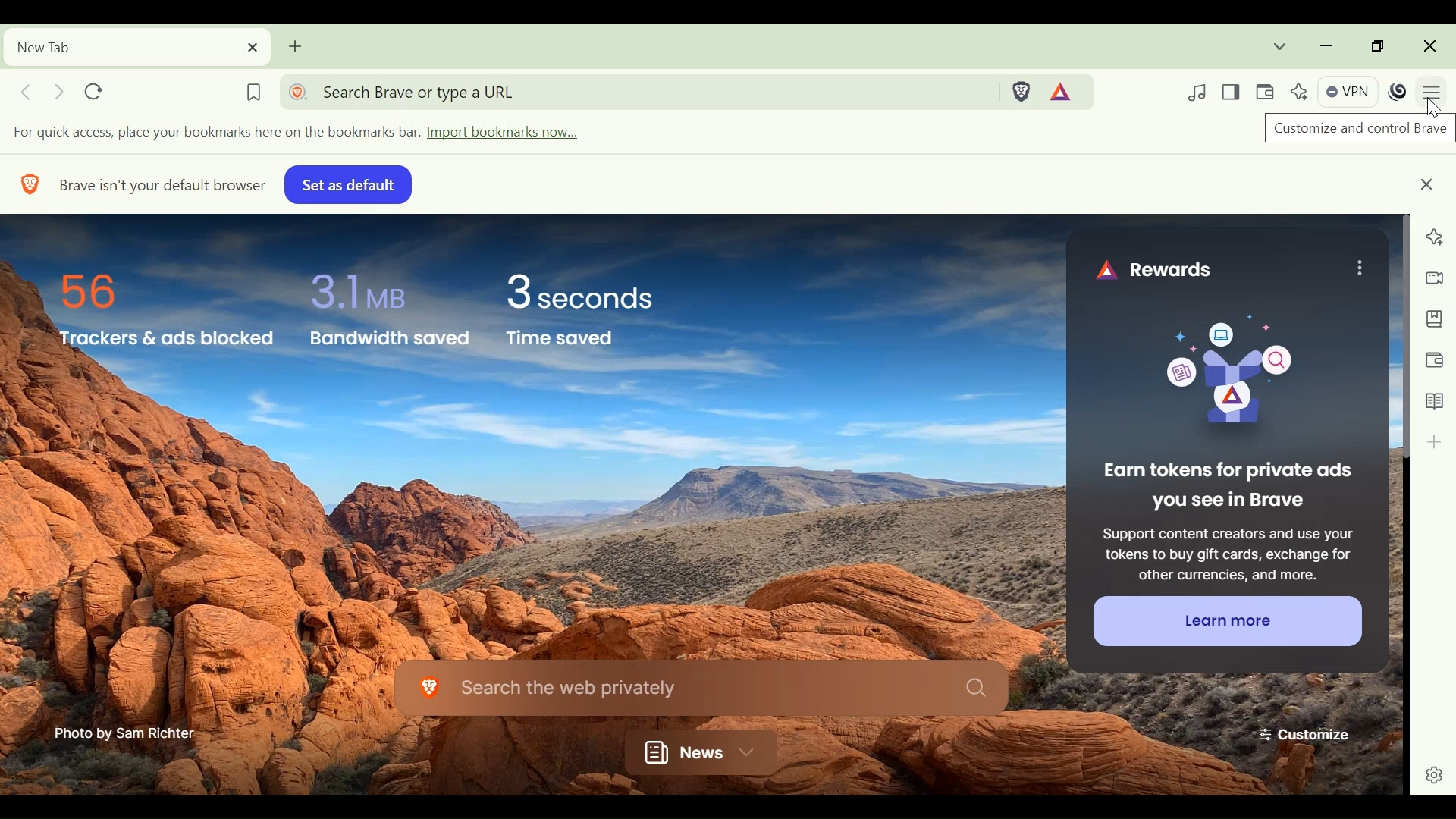  I want to click on Current tab, so click(135, 47).